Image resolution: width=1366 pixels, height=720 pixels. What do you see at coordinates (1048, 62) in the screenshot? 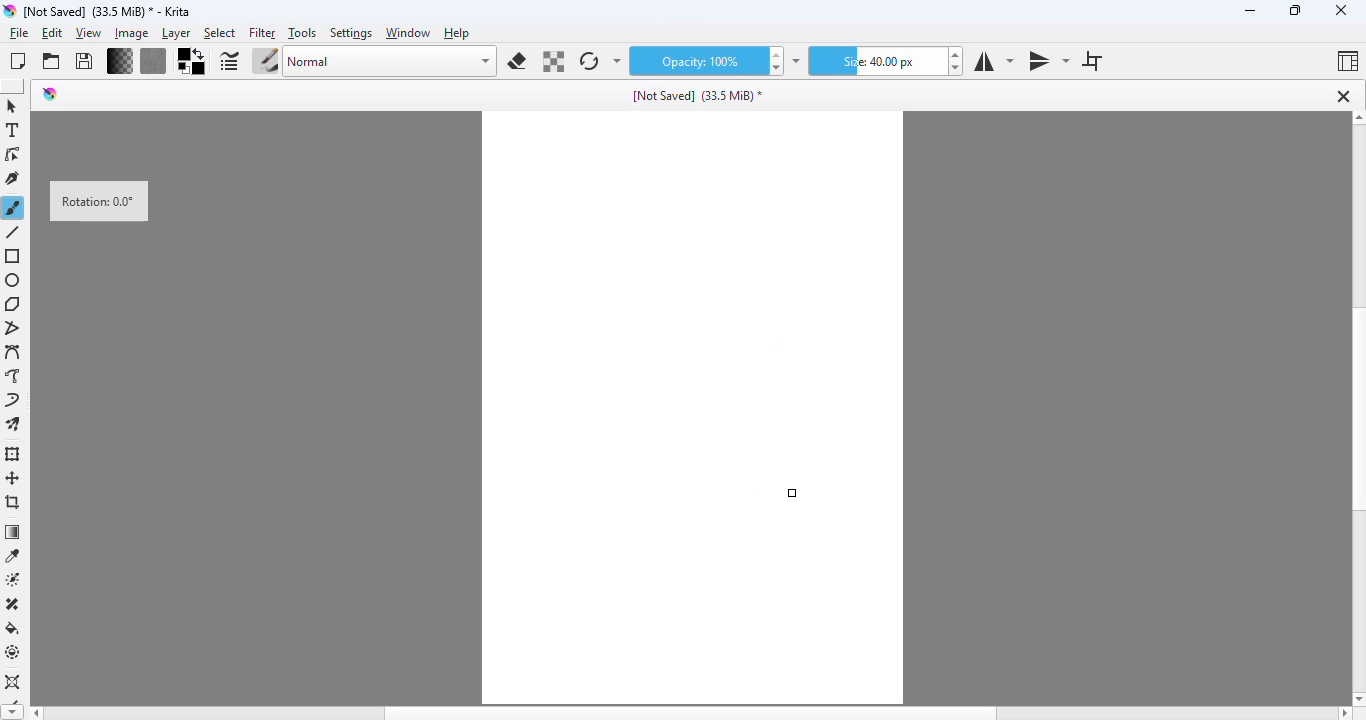
I see `vertical mirror tool` at bounding box center [1048, 62].